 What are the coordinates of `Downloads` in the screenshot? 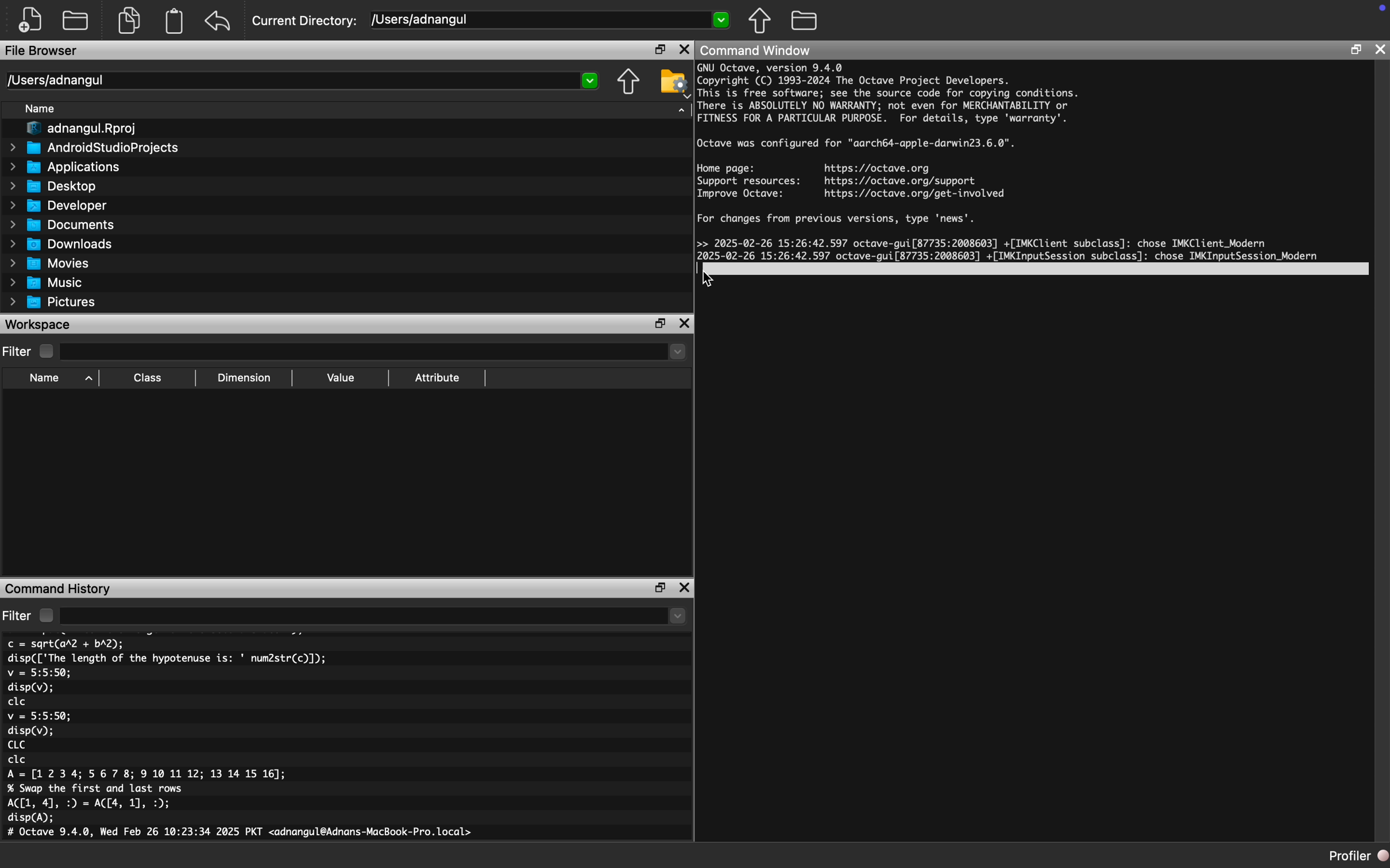 It's located at (61, 243).